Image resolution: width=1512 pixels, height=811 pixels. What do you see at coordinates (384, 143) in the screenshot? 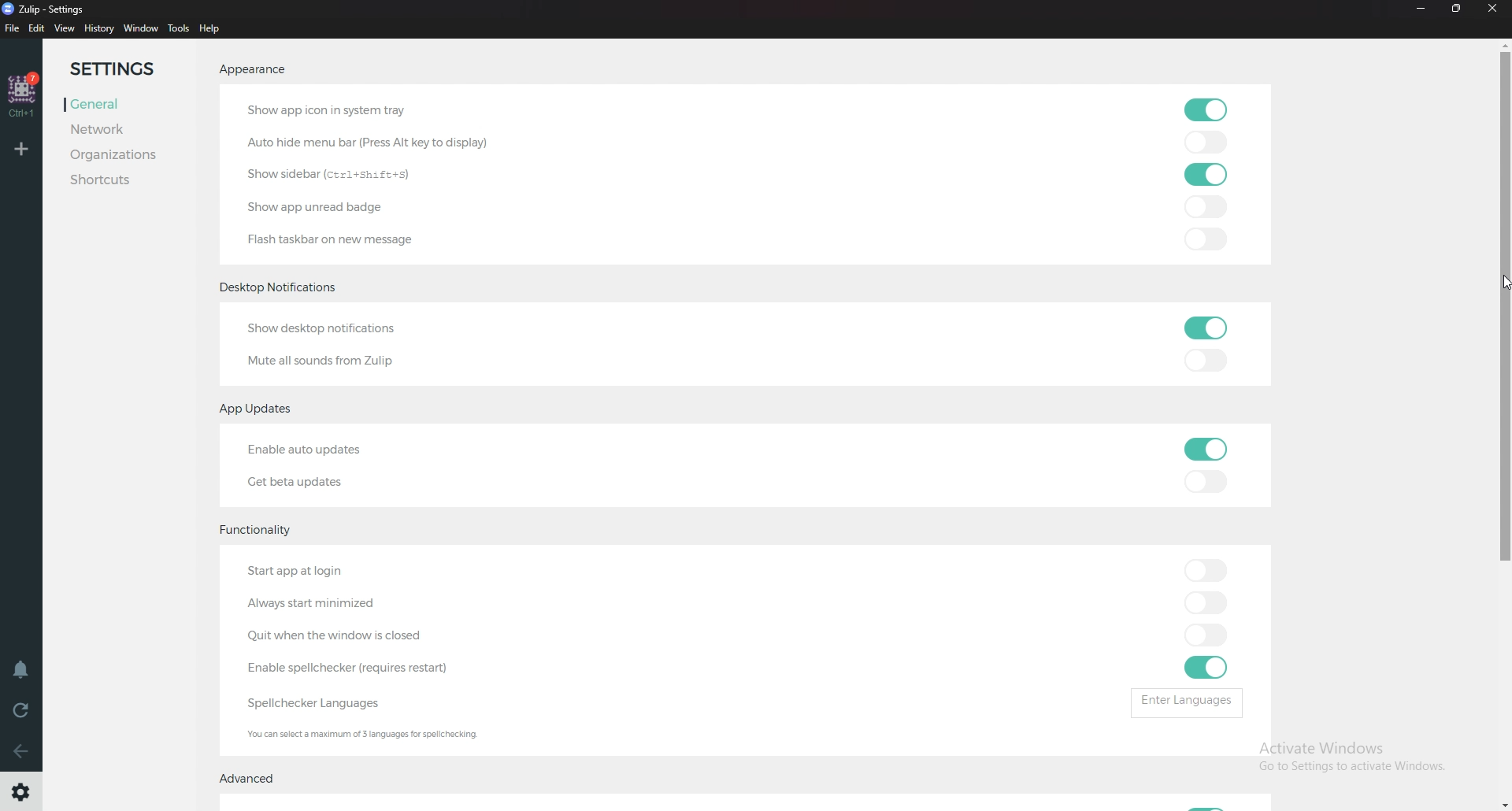
I see `auto hide menu bar` at bounding box center [384, 143].